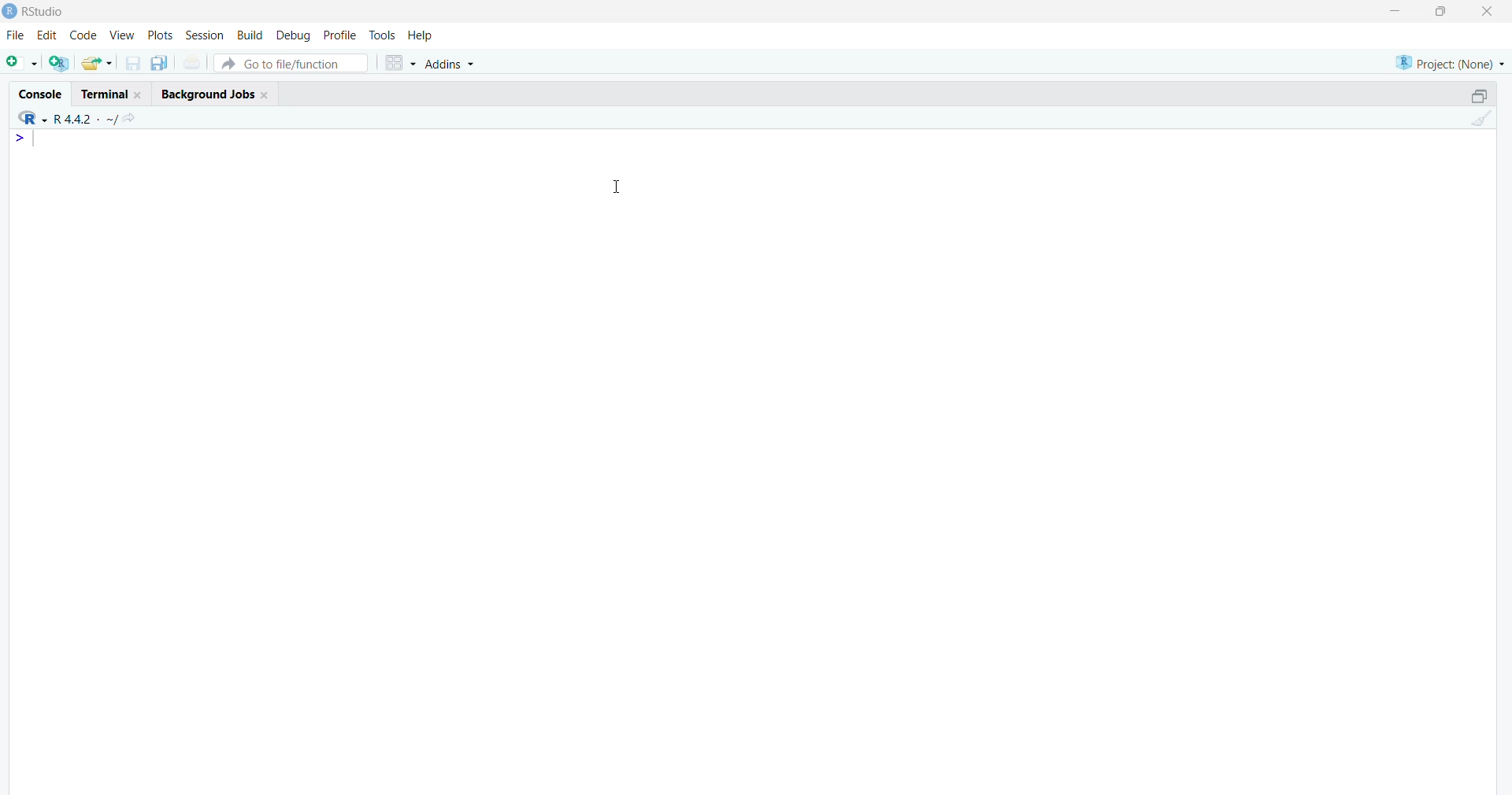 This screenshot has width=1512, height=795. I want to click on build, so click(251, 35).